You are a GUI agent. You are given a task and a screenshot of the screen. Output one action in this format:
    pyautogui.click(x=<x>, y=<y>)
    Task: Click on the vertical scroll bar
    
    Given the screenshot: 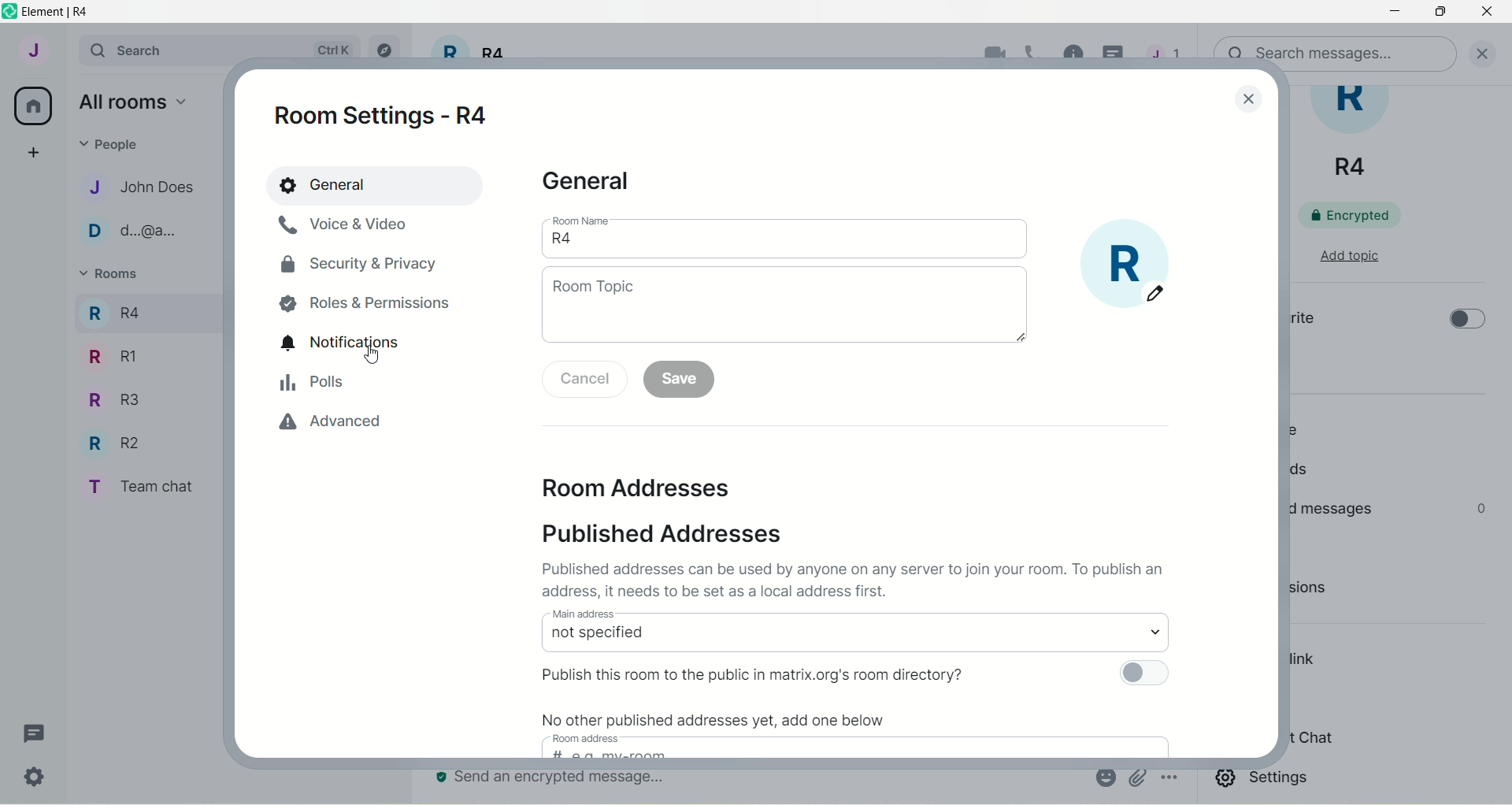 What is the action you would take?
    pyautogui.click(x=1503, y=445)
    